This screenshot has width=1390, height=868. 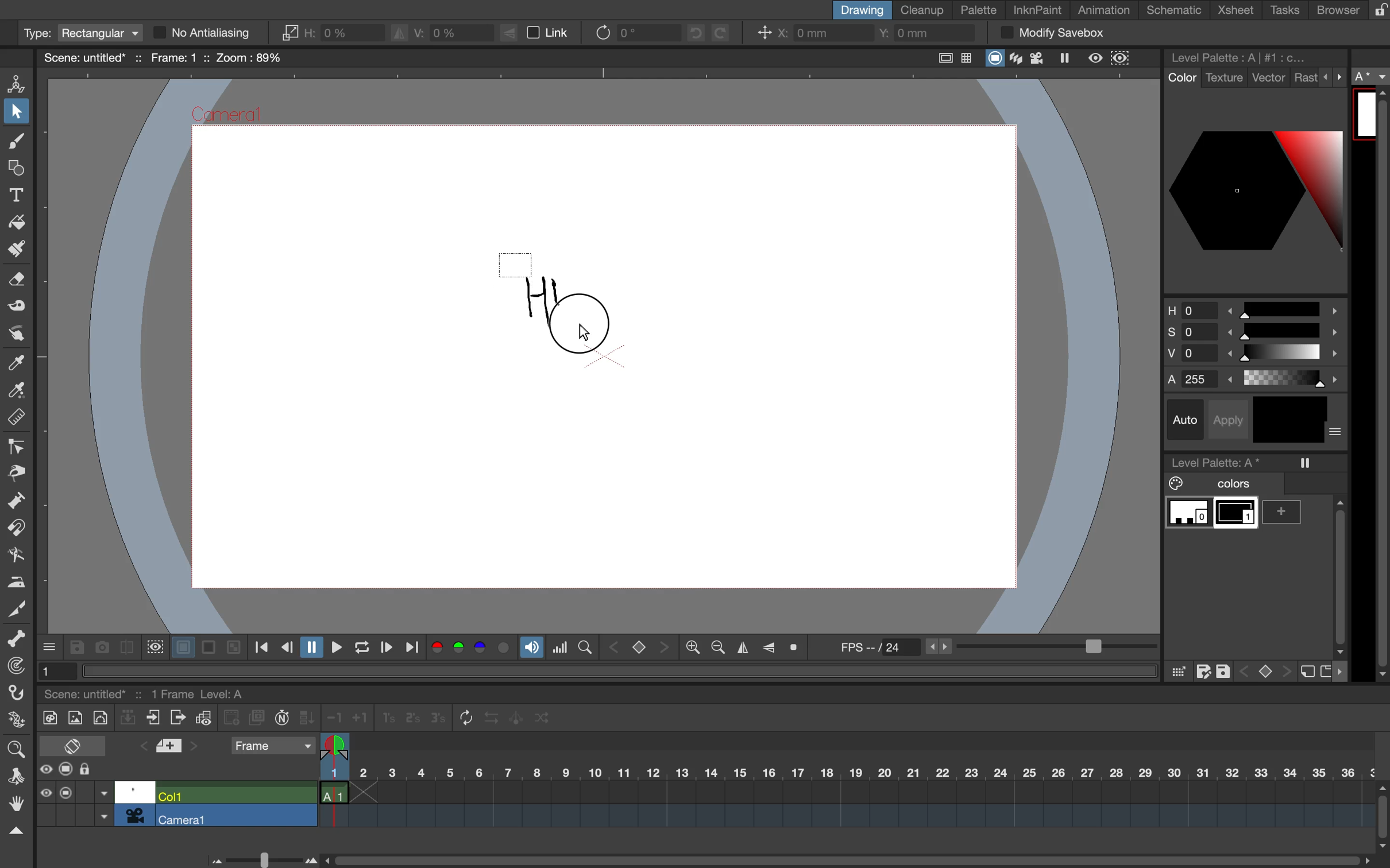 What do you see at coordinates (16, 334) in the screenshot?
I see `finger tool` at bounding box center [16, 334].